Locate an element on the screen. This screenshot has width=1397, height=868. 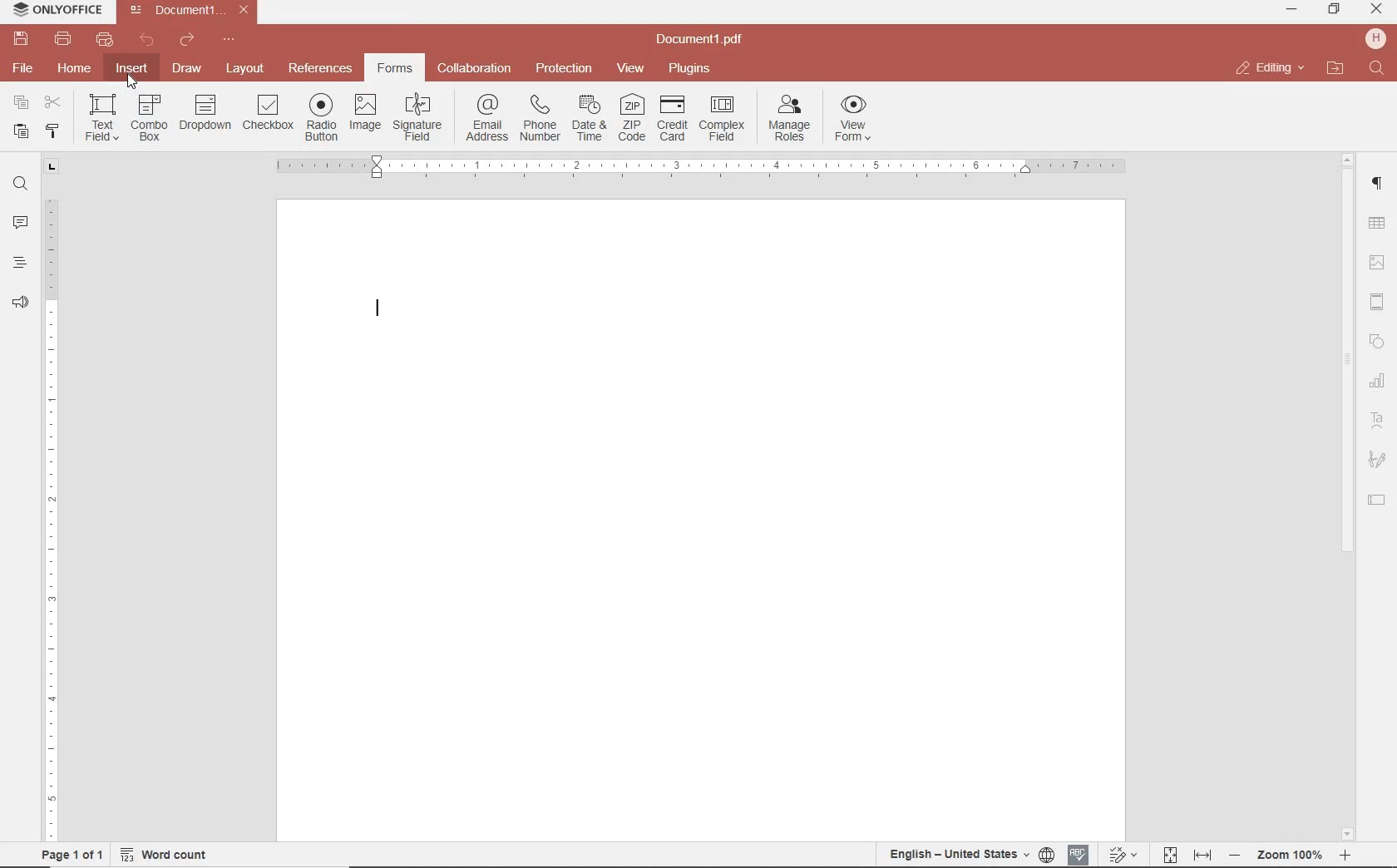
comments is located at coordinates (20, 224).